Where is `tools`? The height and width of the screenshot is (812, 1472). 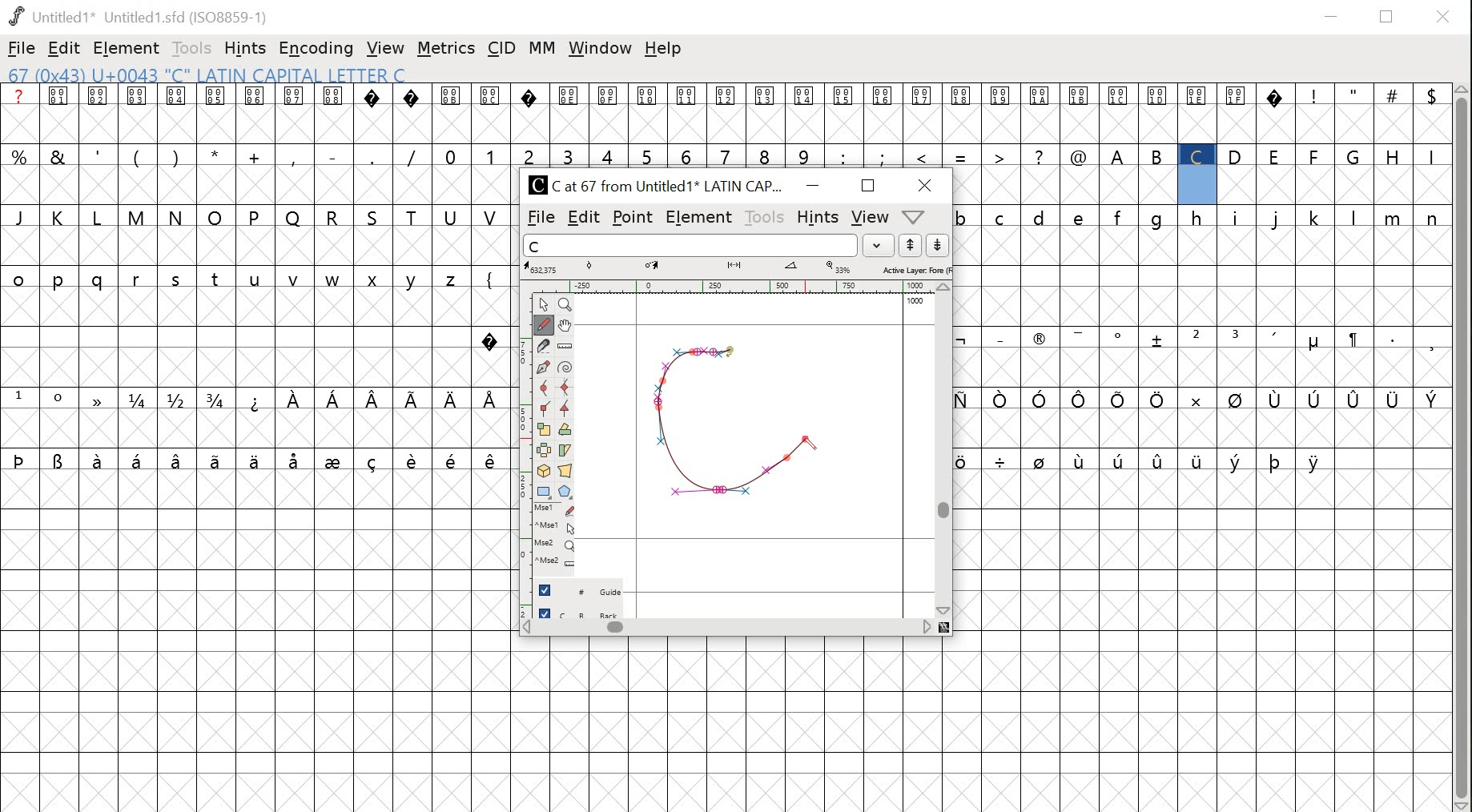 tools is located at coordinates (191, 50).